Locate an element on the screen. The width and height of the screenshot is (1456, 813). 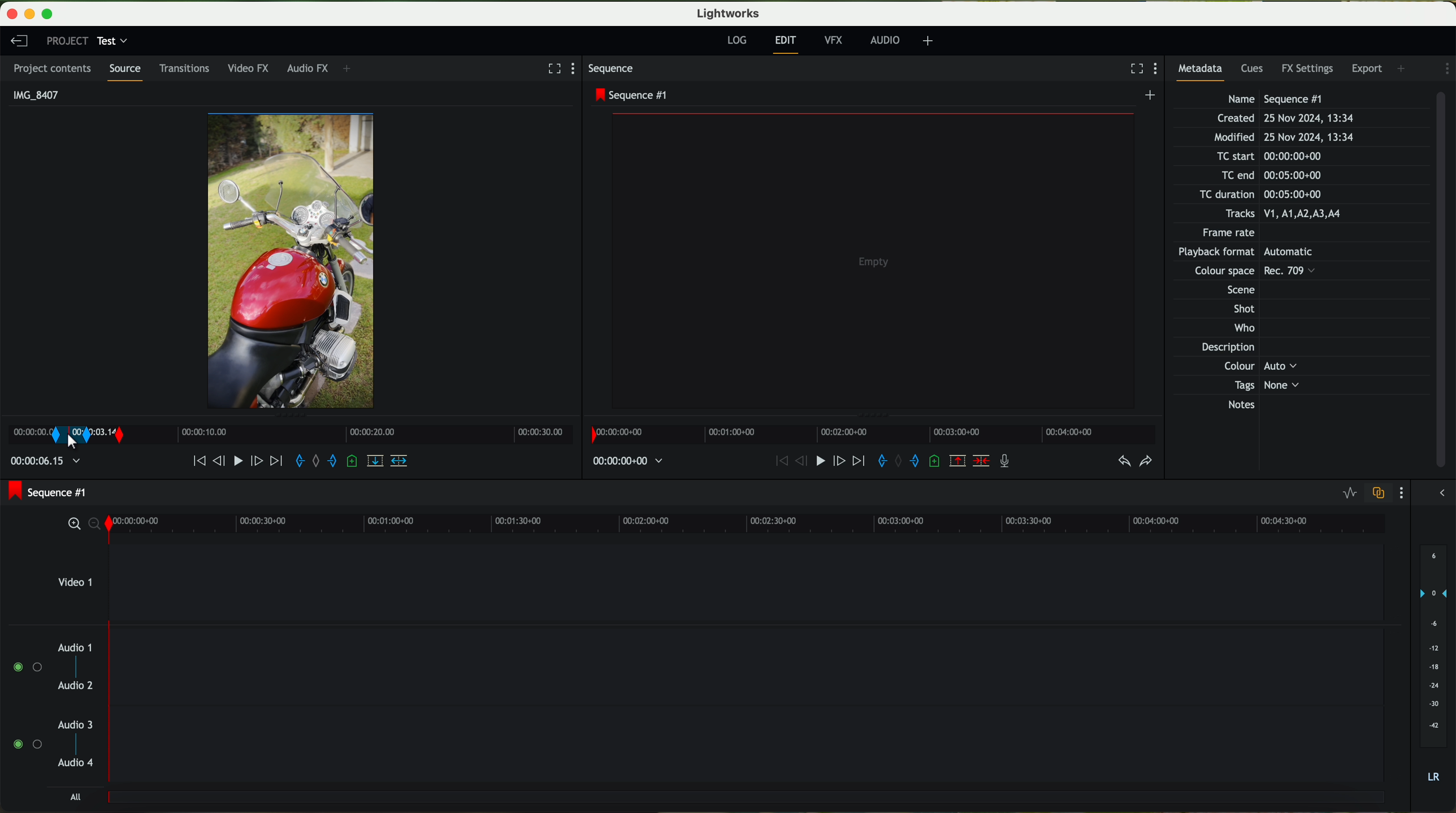
add an in mark is located at coordinates (301, 462).